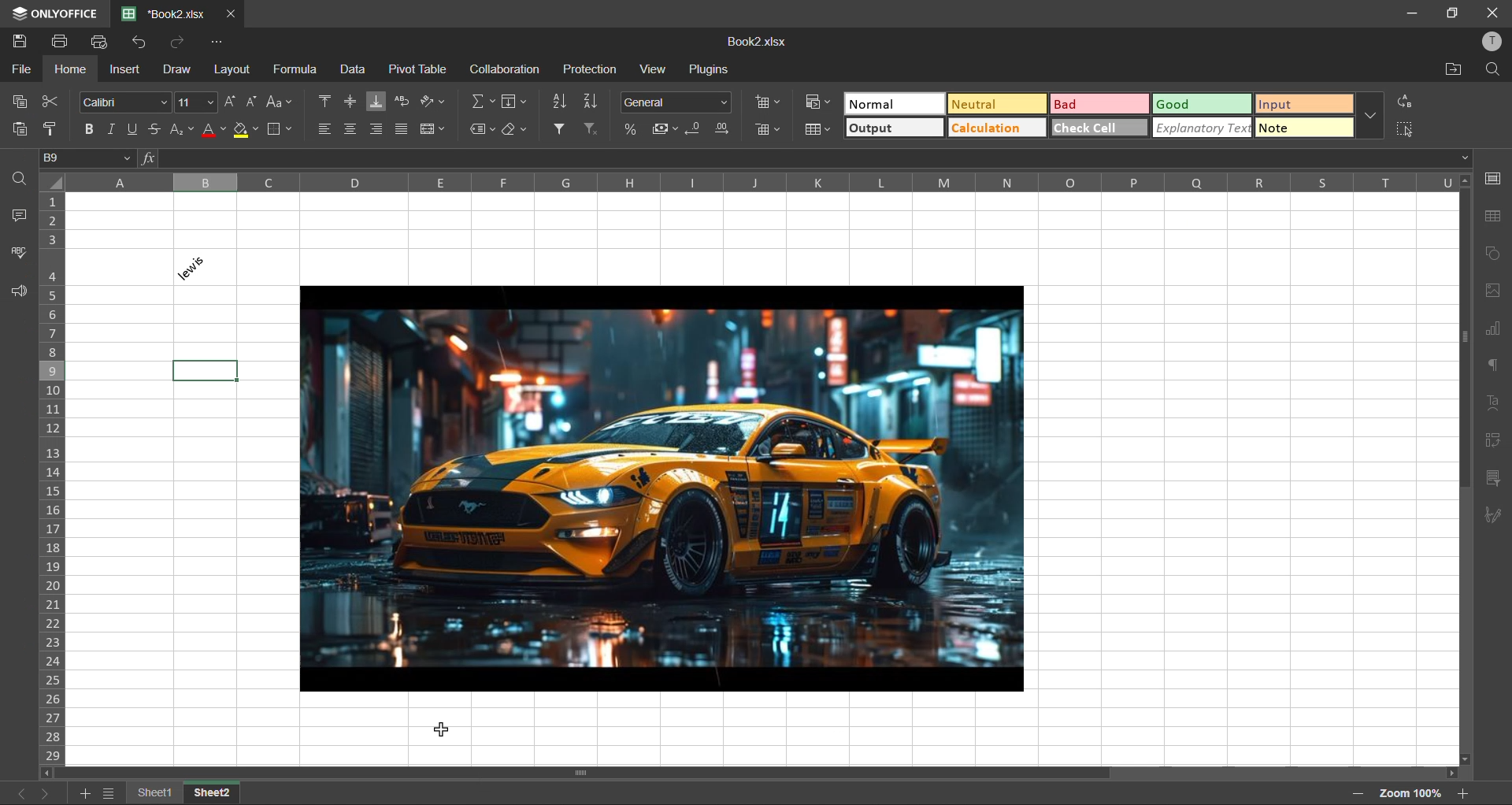 Image resolution: width=1512 pixels, height=805 pixels. Describe the element at coordinates (48, 101) in the screenshot. I see `cut` at that location.